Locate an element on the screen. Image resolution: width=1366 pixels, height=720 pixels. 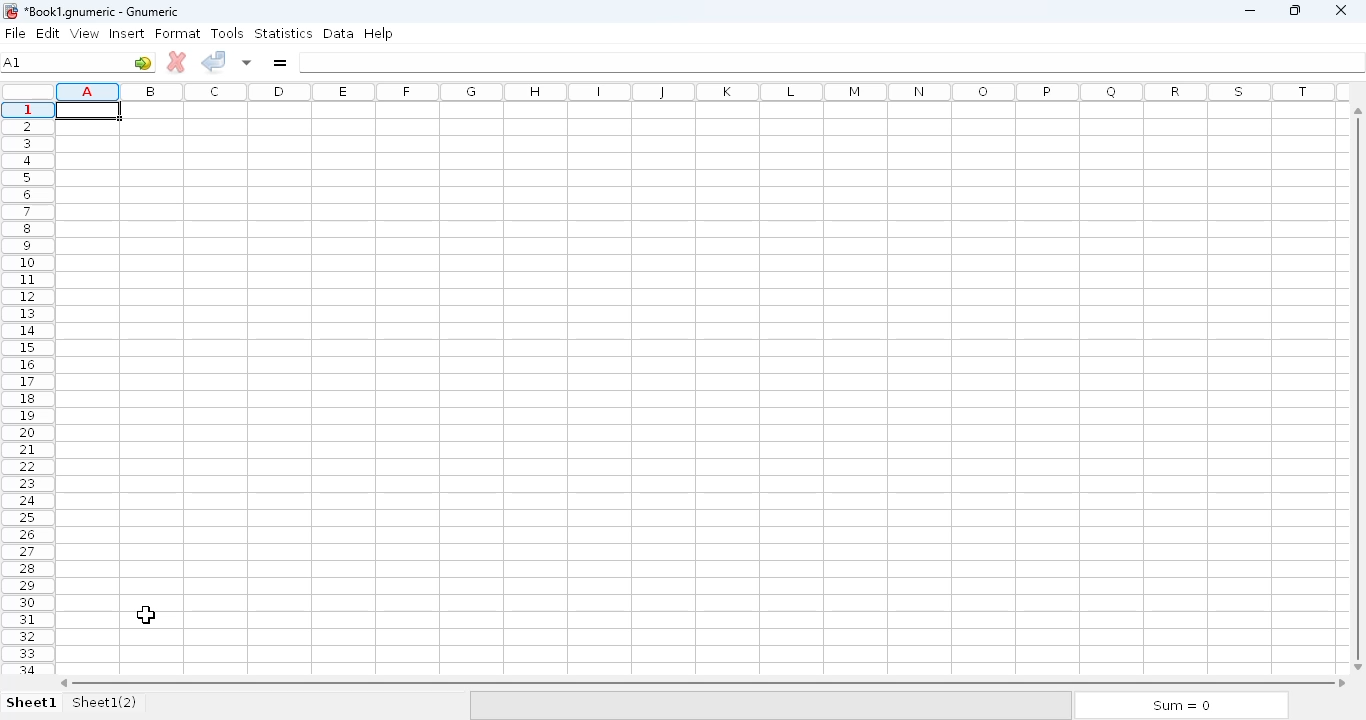
rows is located at coordinates (28, 387).